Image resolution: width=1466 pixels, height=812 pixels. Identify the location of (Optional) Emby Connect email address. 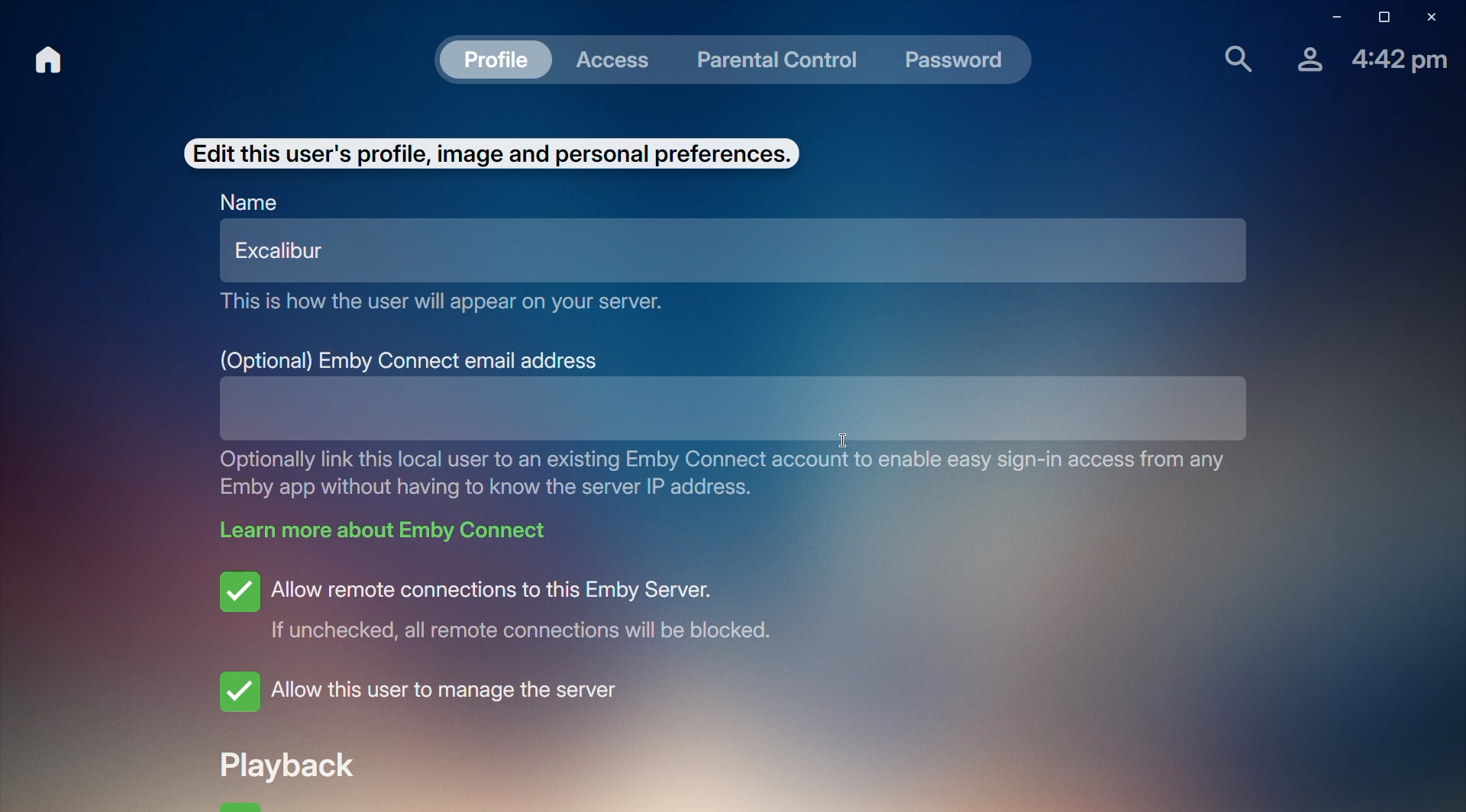
(409, 362).